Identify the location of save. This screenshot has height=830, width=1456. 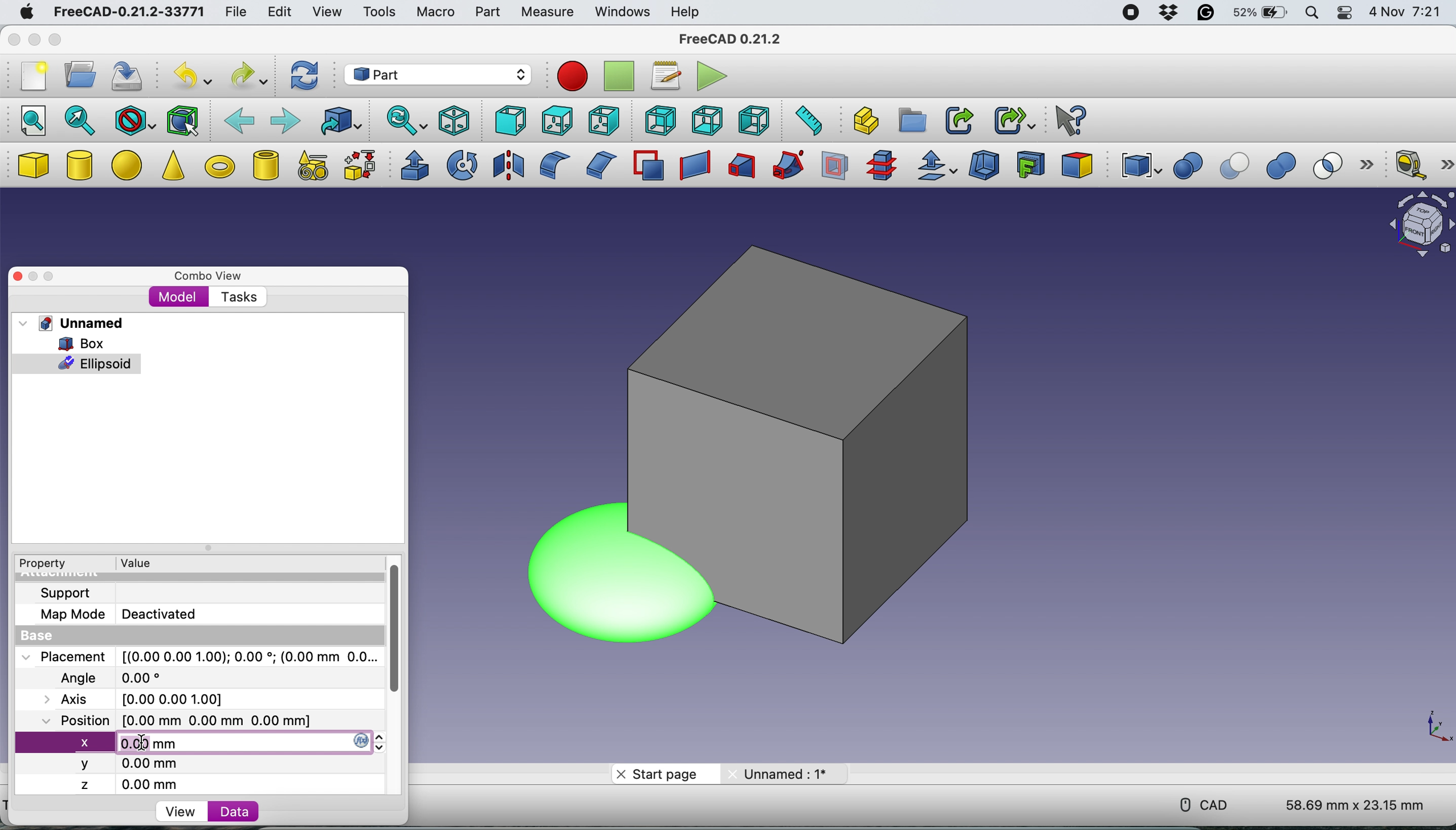
(129, 78).